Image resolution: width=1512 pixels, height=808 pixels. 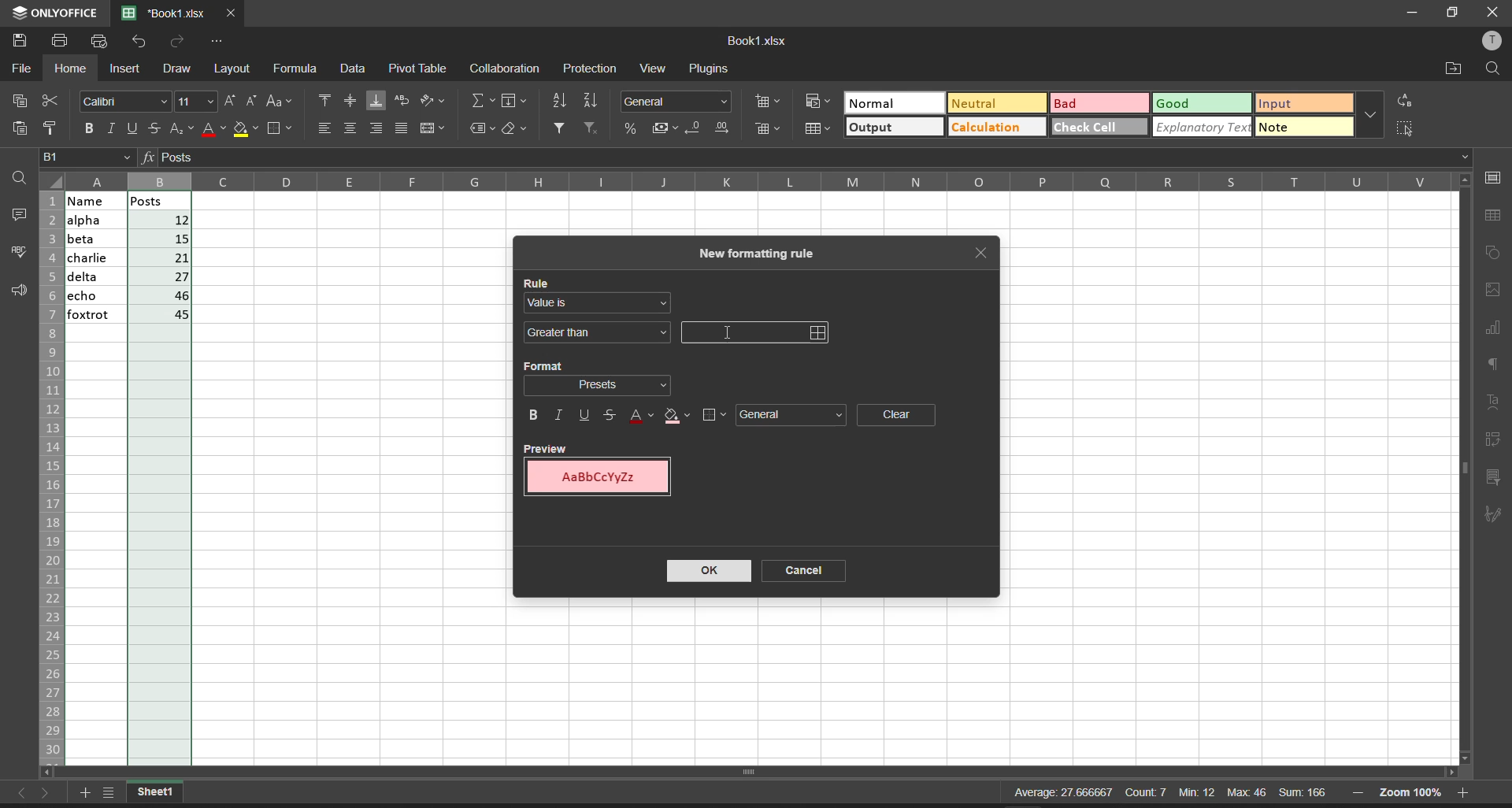 What do you see at coordinates (818, 159) in the screenshot?
I see `formula bar` at bounding box center [818, 159].